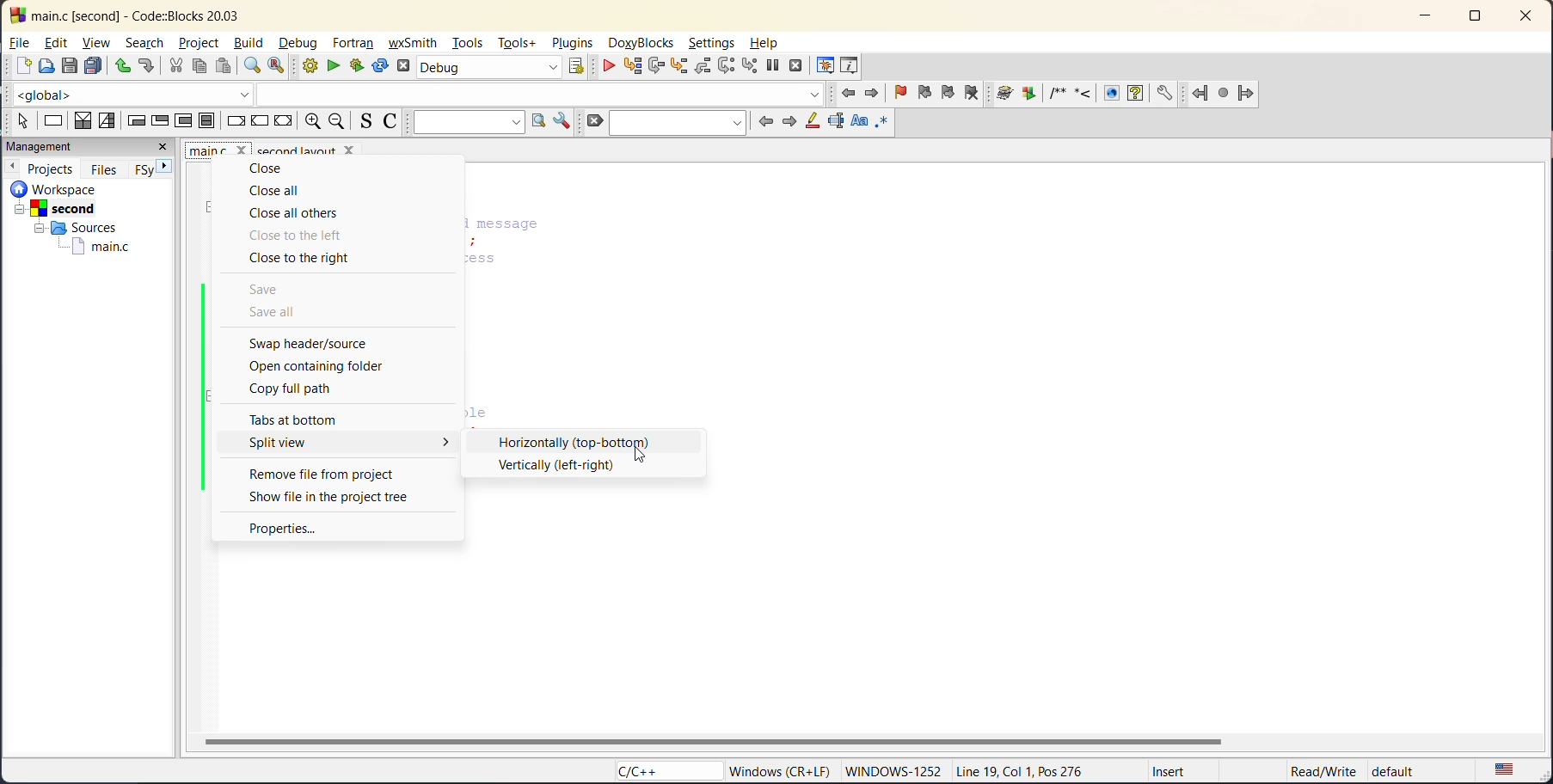 The width and height of the screenshot is (1553, 784). Describe the element at coordinates (254, 42) in the screenshot. I see `build` at that location.